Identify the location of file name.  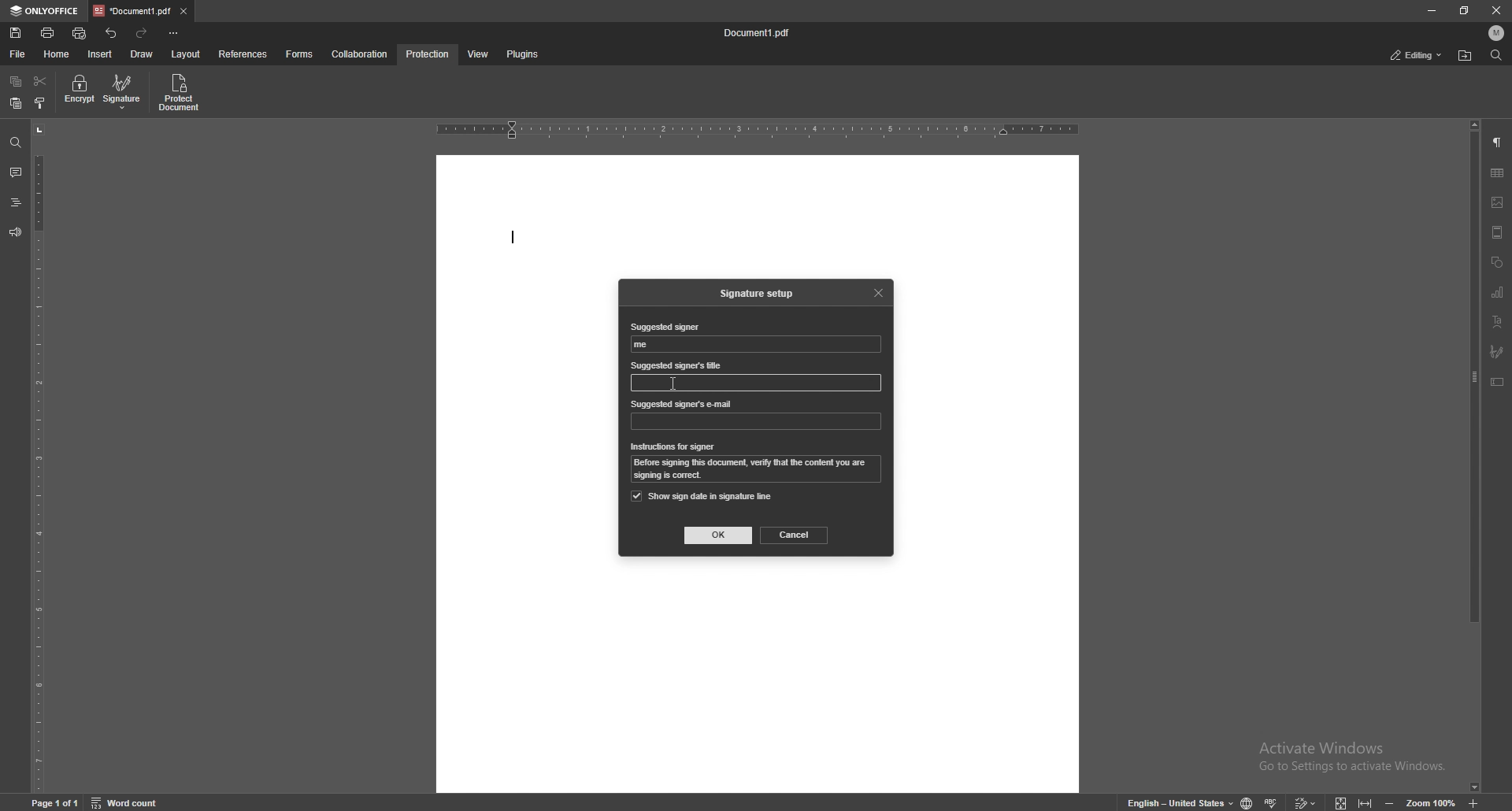
(758, 33).